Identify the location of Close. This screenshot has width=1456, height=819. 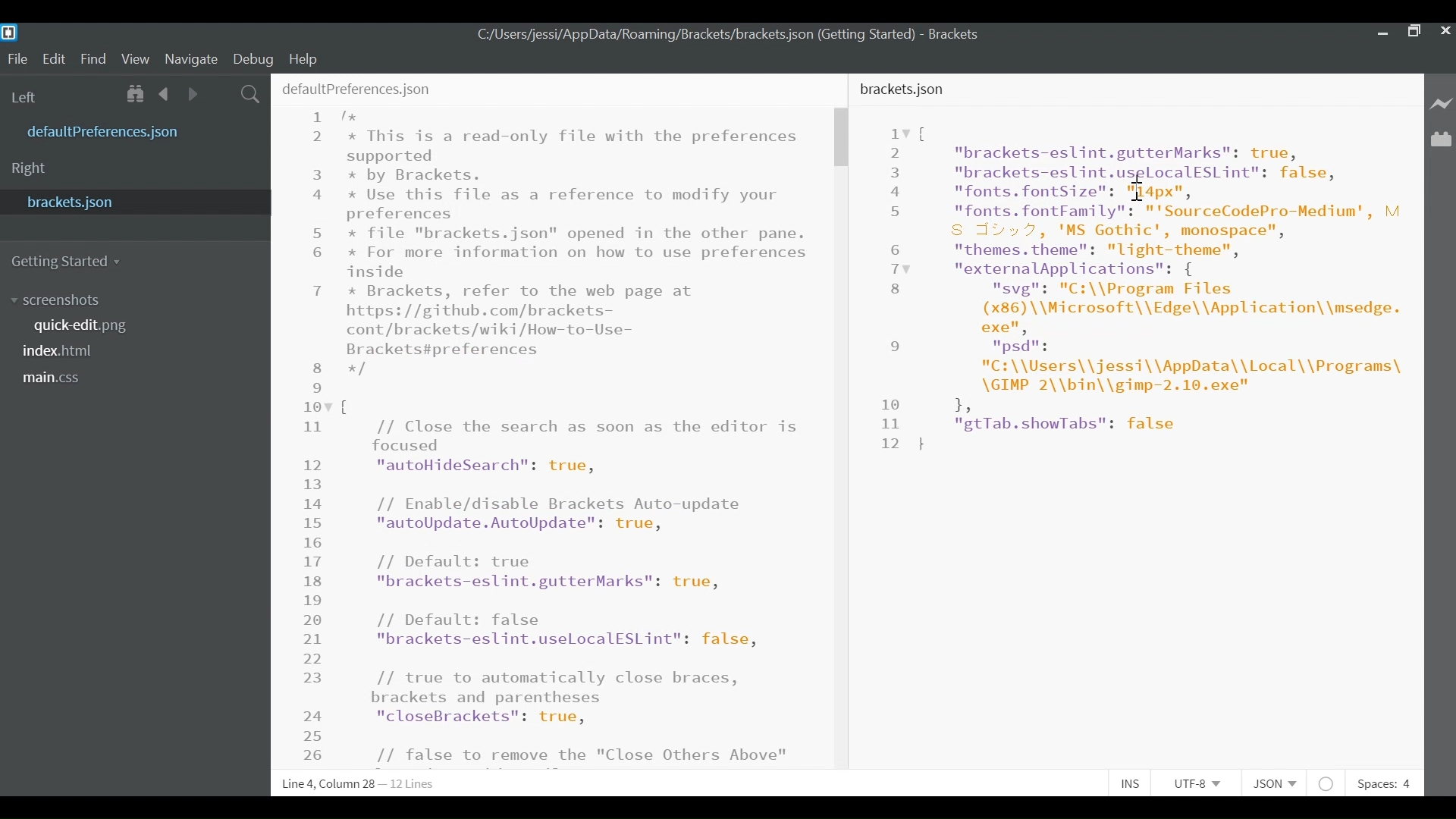
(1446, 33).